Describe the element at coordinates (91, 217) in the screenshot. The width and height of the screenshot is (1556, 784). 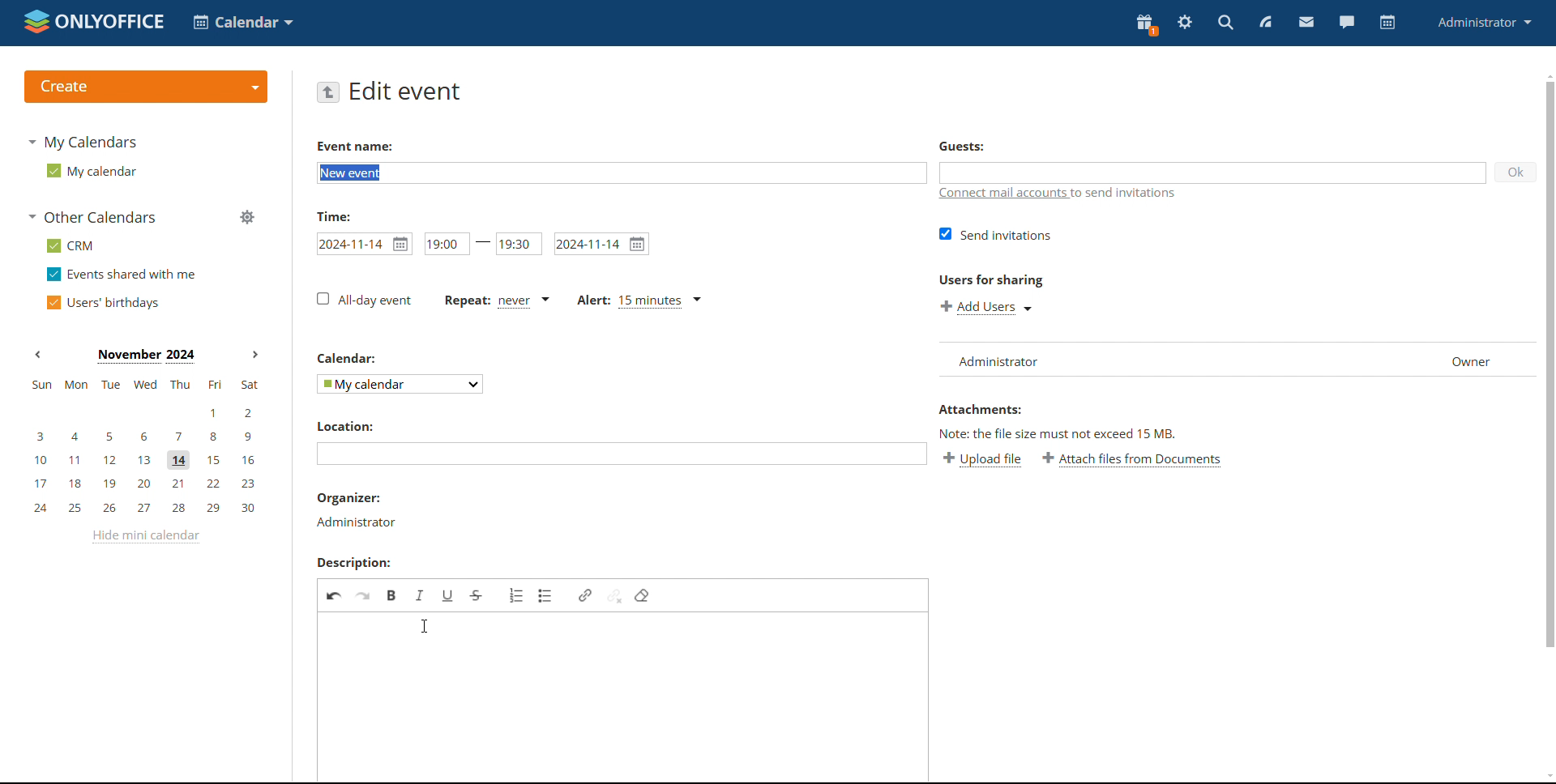
I see `other calendars` at that location.